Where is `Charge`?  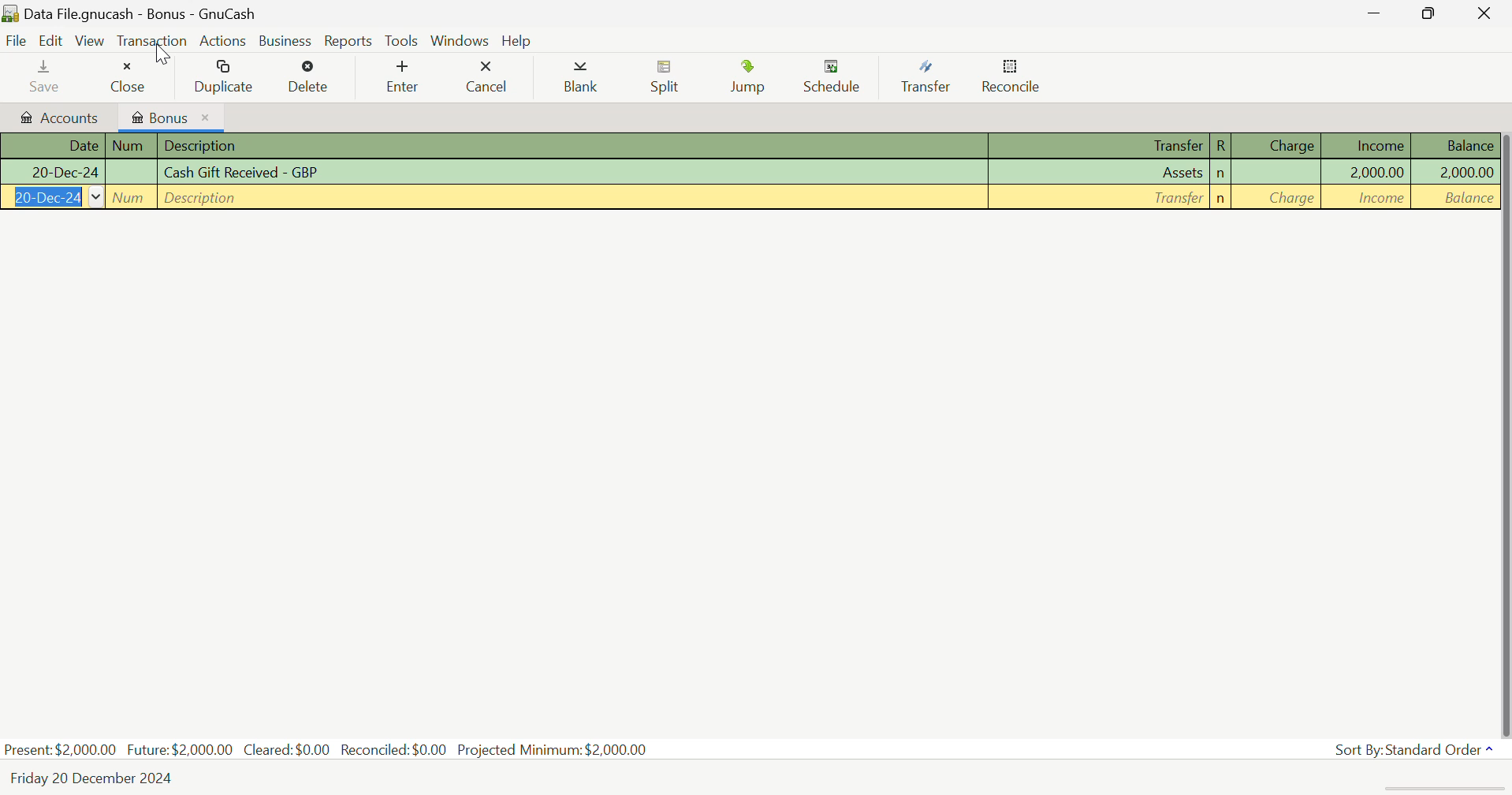
Charge is located at coordinates (1279, 174).